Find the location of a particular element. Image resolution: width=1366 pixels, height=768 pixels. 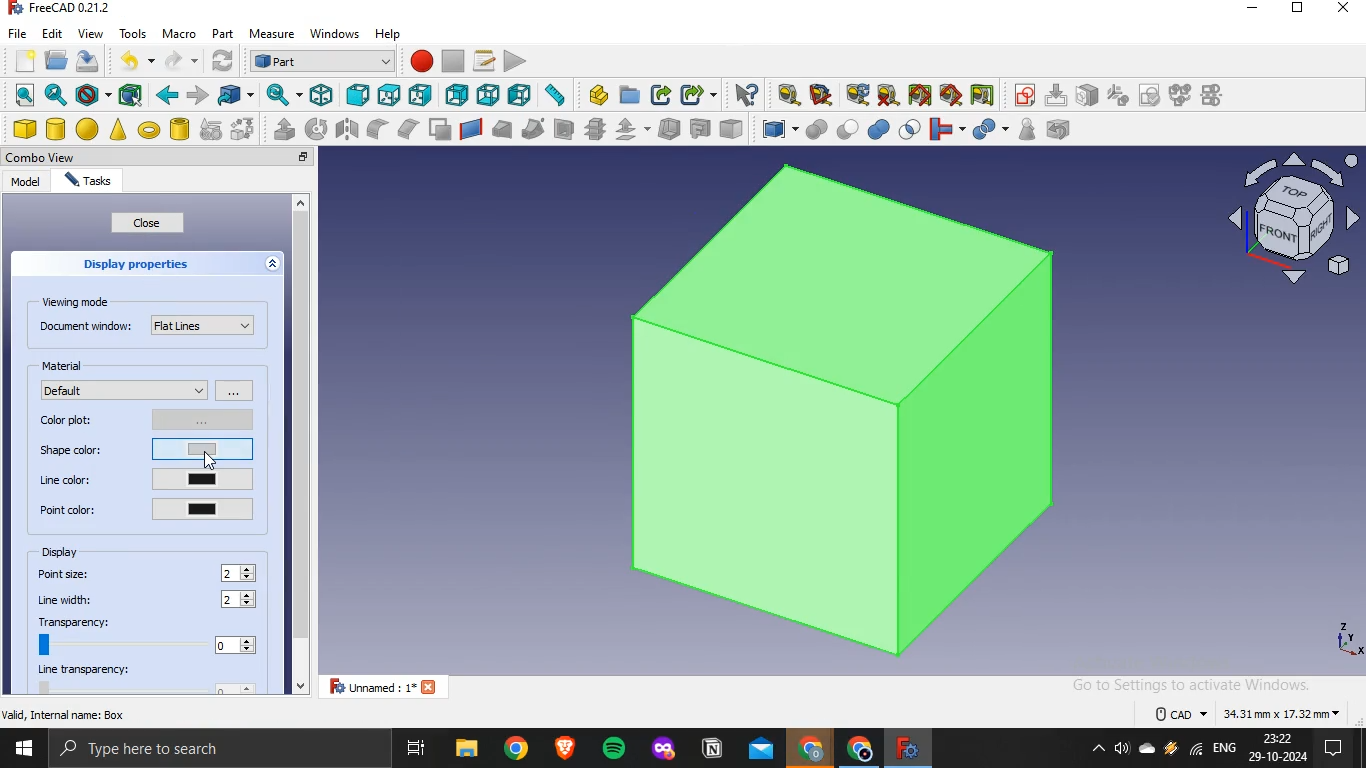

notifications is located at coordinates (1330, 750).